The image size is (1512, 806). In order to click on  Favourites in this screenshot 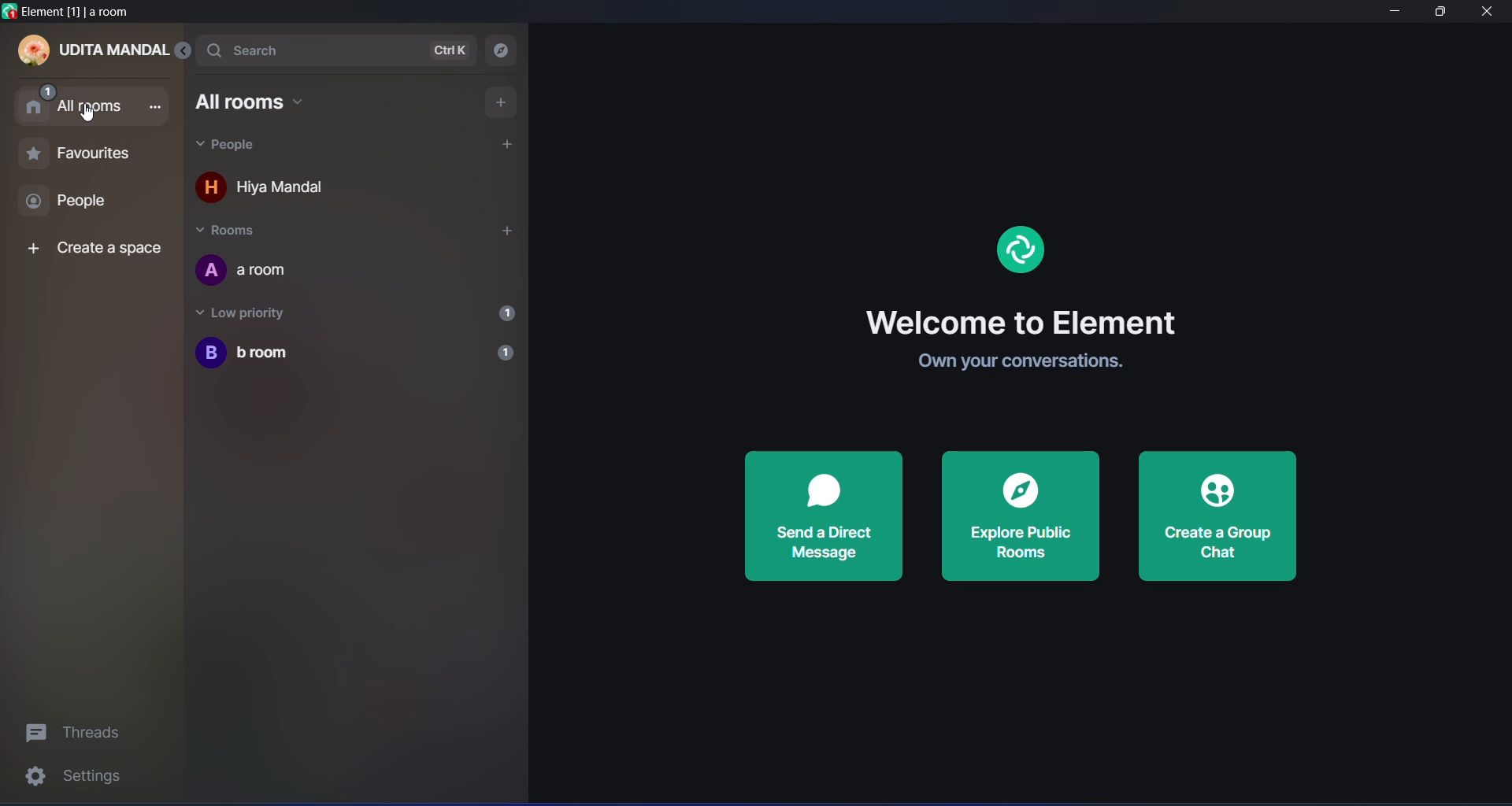, I will do `click(77, 157)`.